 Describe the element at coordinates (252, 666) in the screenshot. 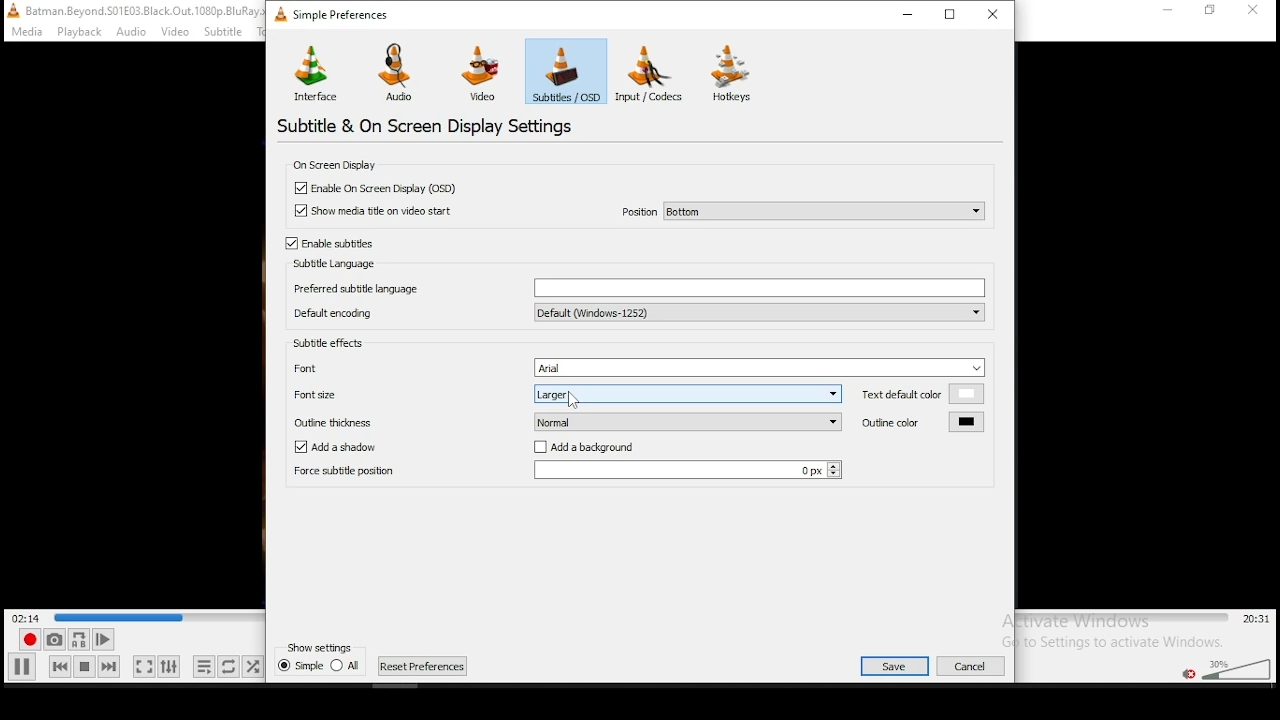

I see `random` at that location.